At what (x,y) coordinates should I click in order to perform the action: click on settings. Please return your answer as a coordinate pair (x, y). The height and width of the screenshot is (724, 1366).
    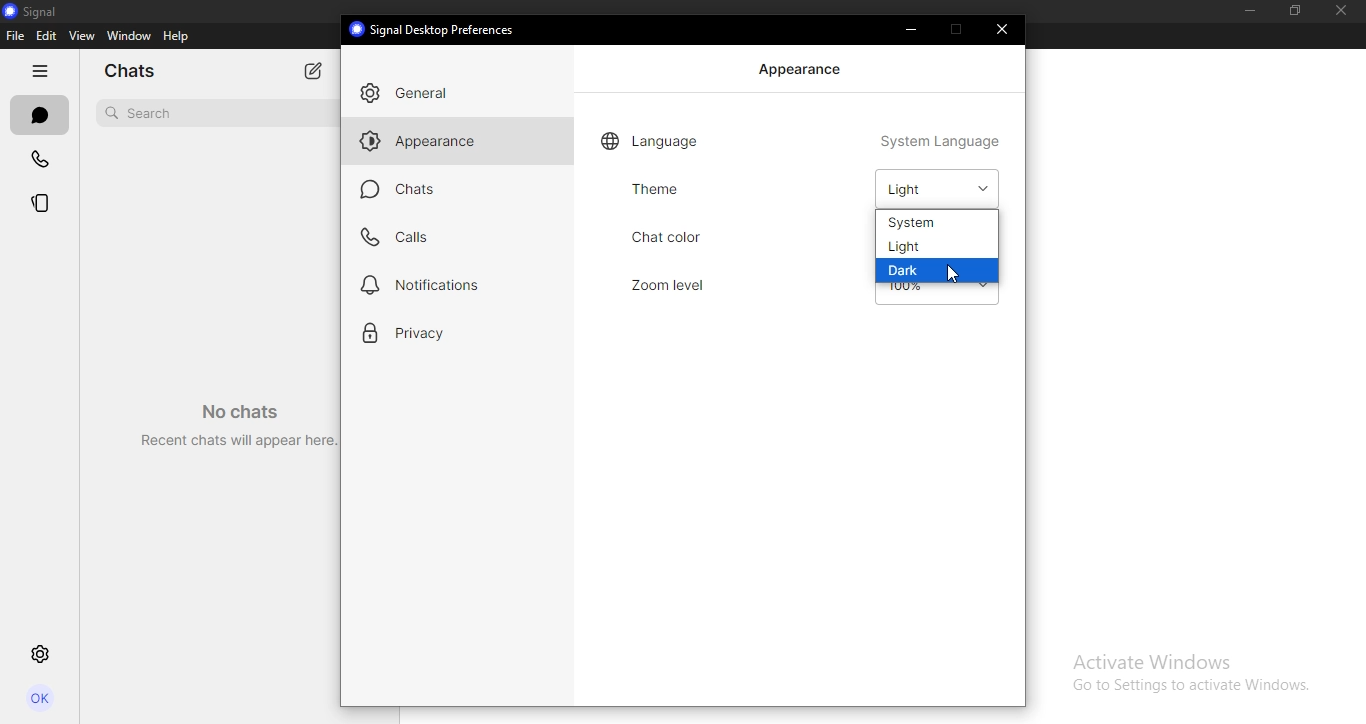
    Looking at the image, I should click on (41, 656).